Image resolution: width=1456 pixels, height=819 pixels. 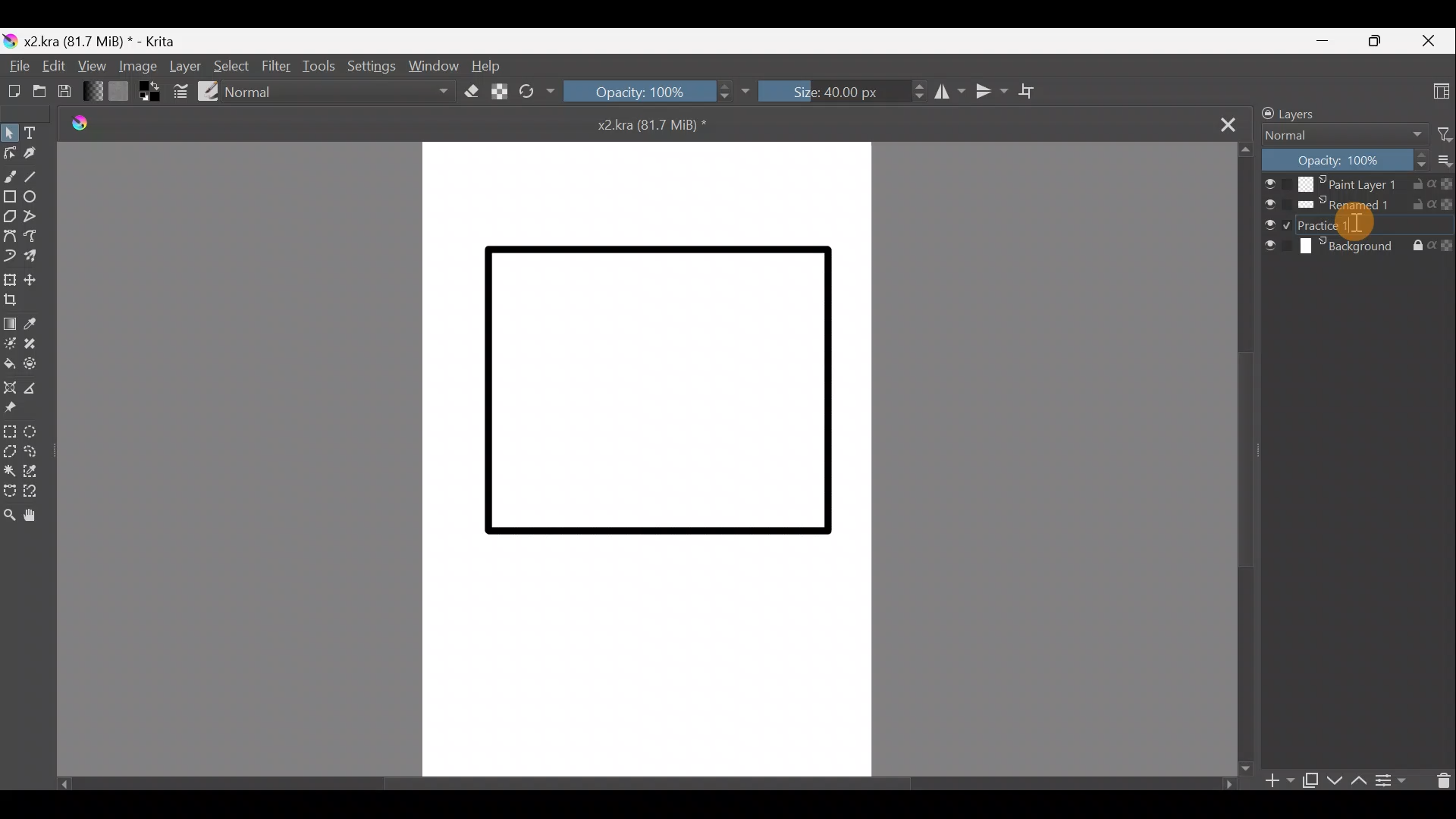 What do you see at coordinates (183, 65) in the screenshot?
I see `Layer` at bounding box center [183, 65].